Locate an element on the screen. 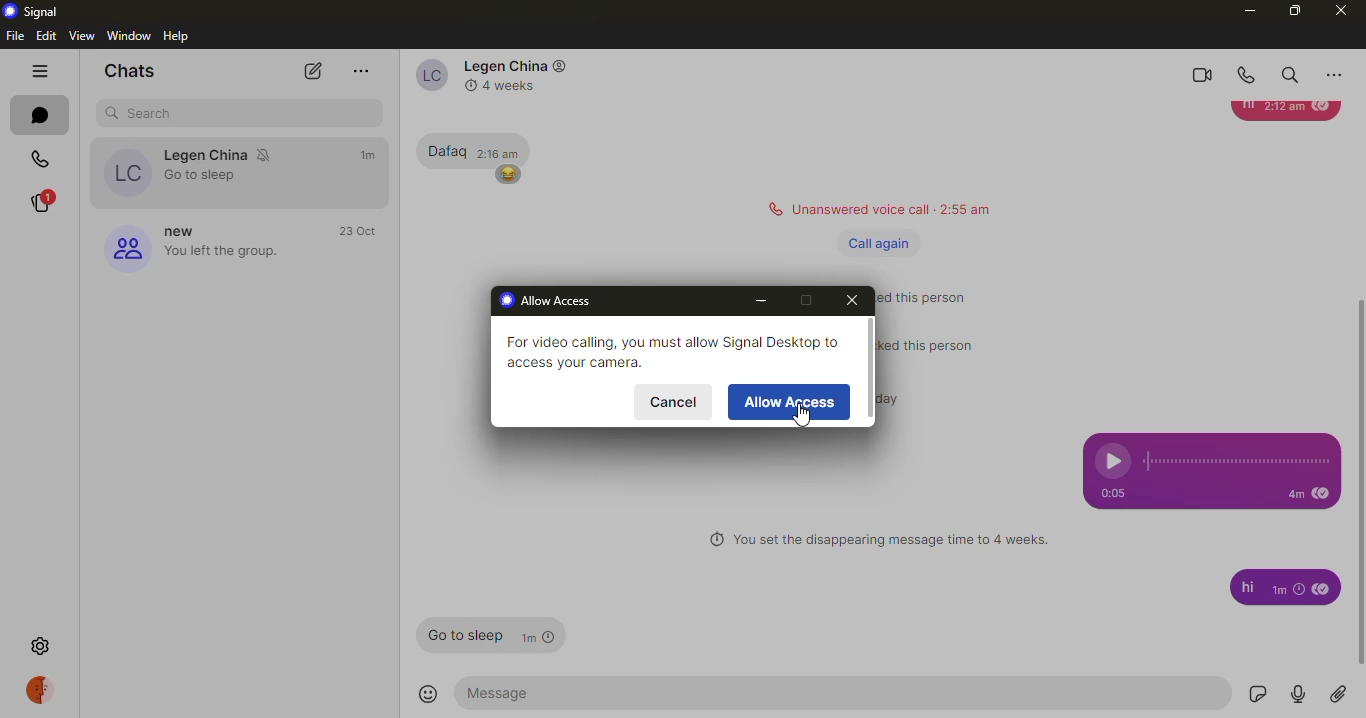 The width and height of the screenshot is (1366, 718). Unanswered voice call 2:55 am is located at coordinates (897, 207).